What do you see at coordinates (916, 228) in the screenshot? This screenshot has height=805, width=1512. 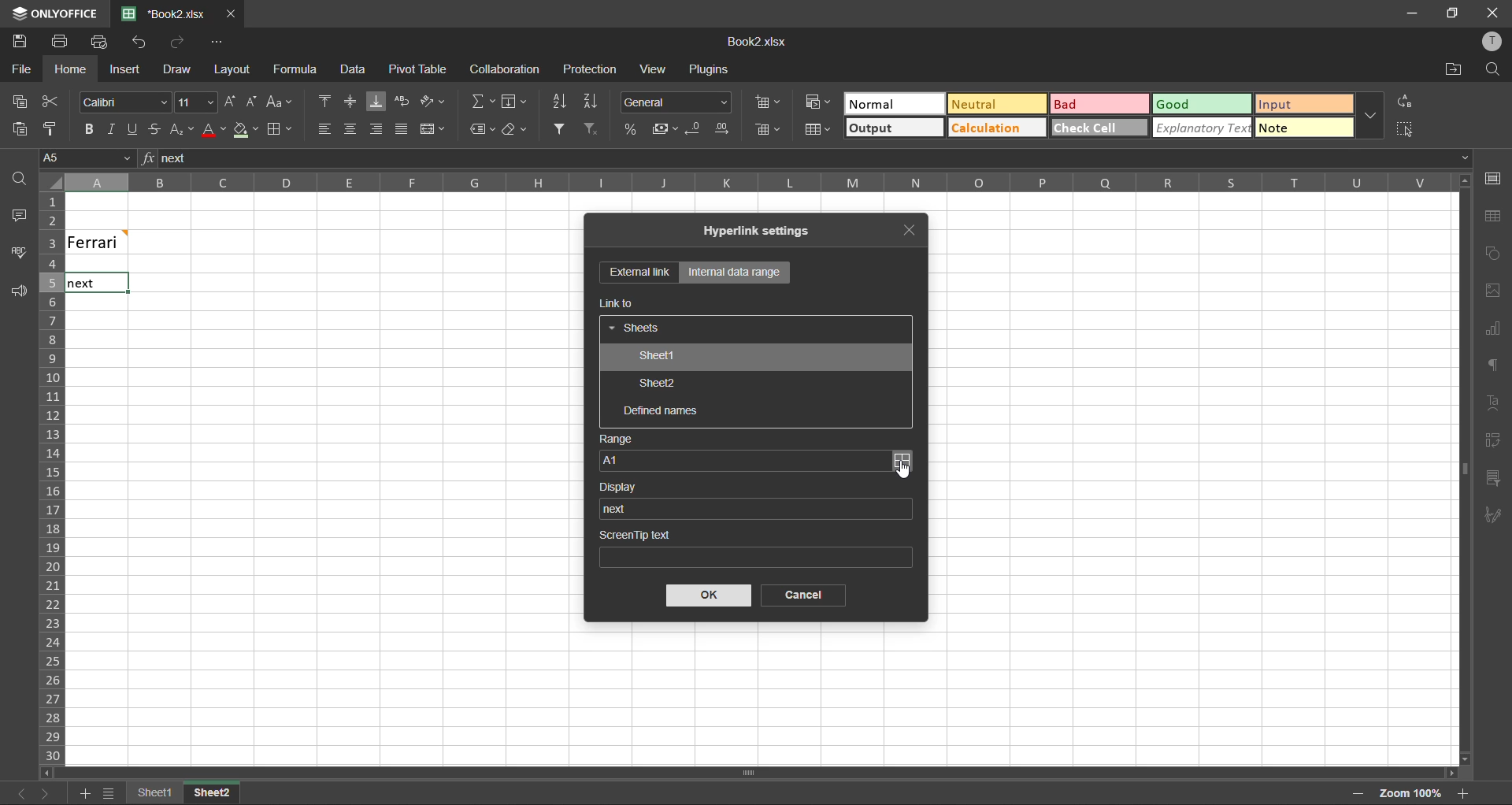 I see `close tab` at bounding box center [916, 228].